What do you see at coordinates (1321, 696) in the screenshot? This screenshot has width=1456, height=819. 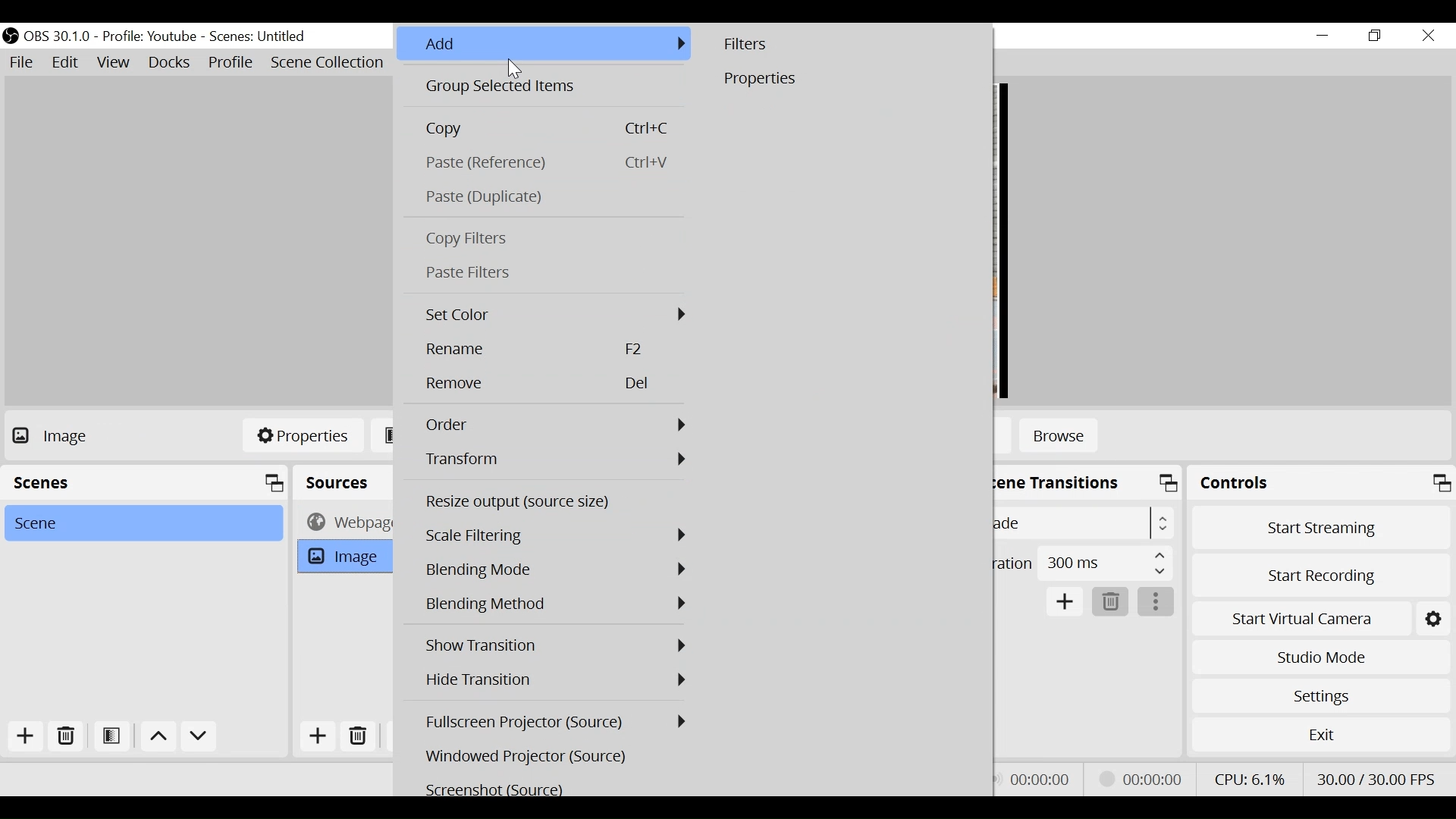 I see `Settings` at bounding box center [1321, 696].